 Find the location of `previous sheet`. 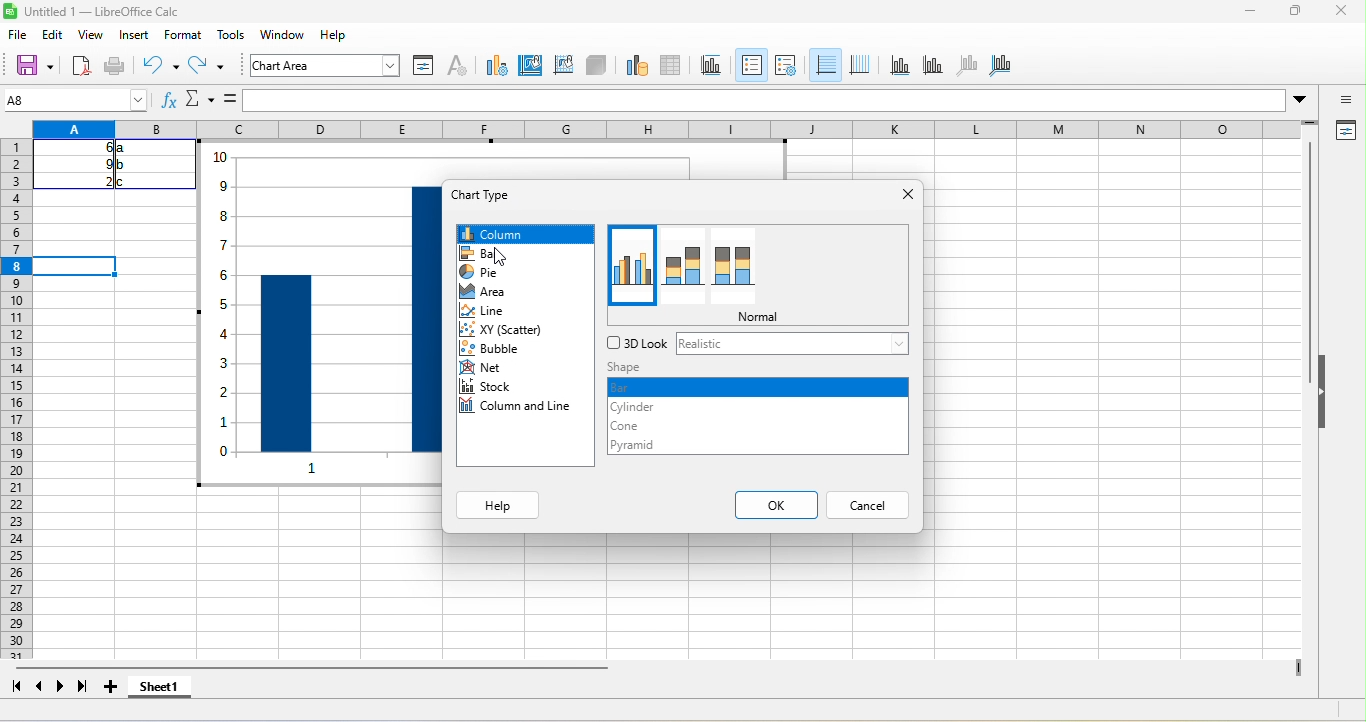

previous sheet is located at coordinates (41, 688).